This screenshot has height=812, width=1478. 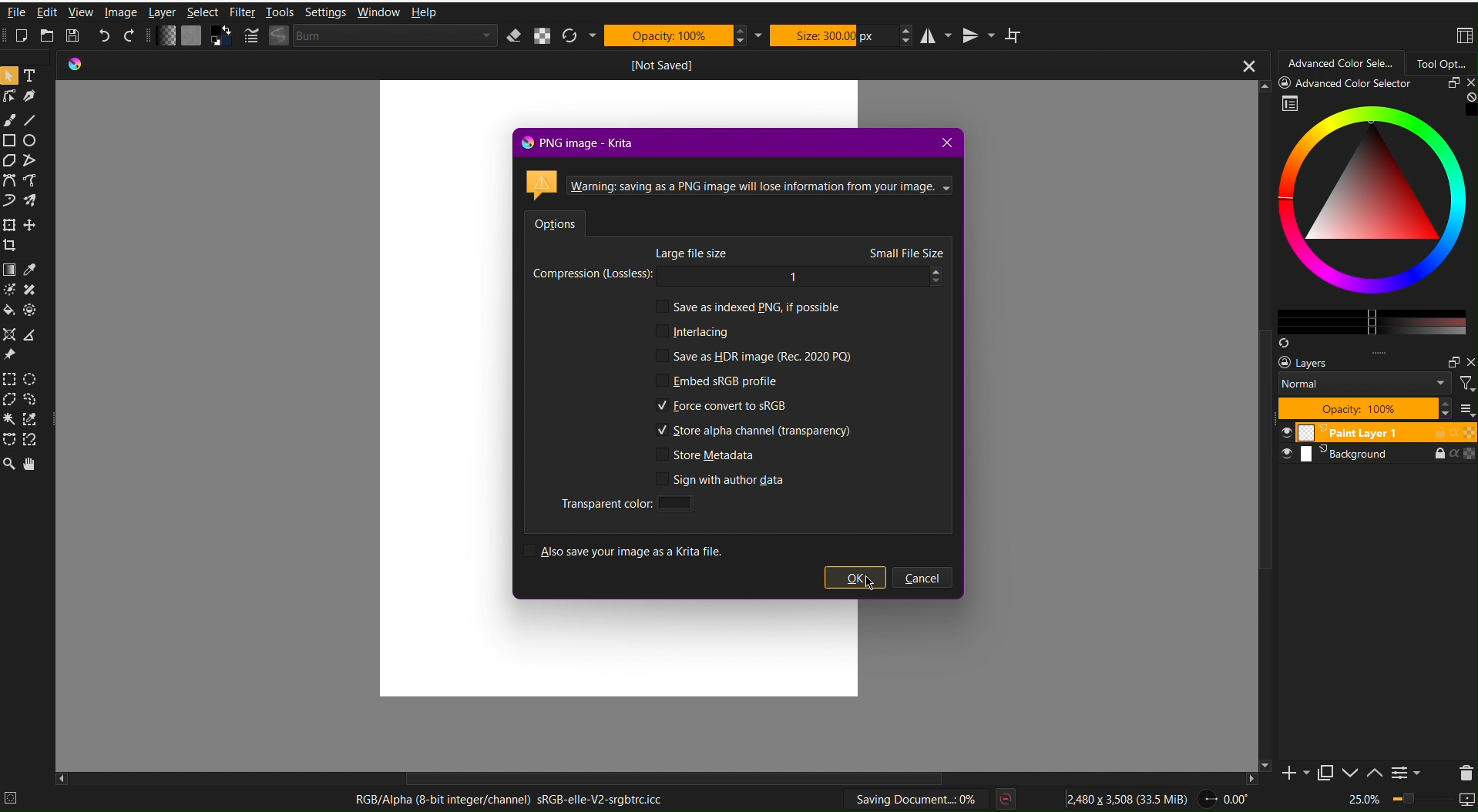 What do you see at coordinates (76, 36) in the screenshot?
I see `Save` at bounding box center [76, 36].